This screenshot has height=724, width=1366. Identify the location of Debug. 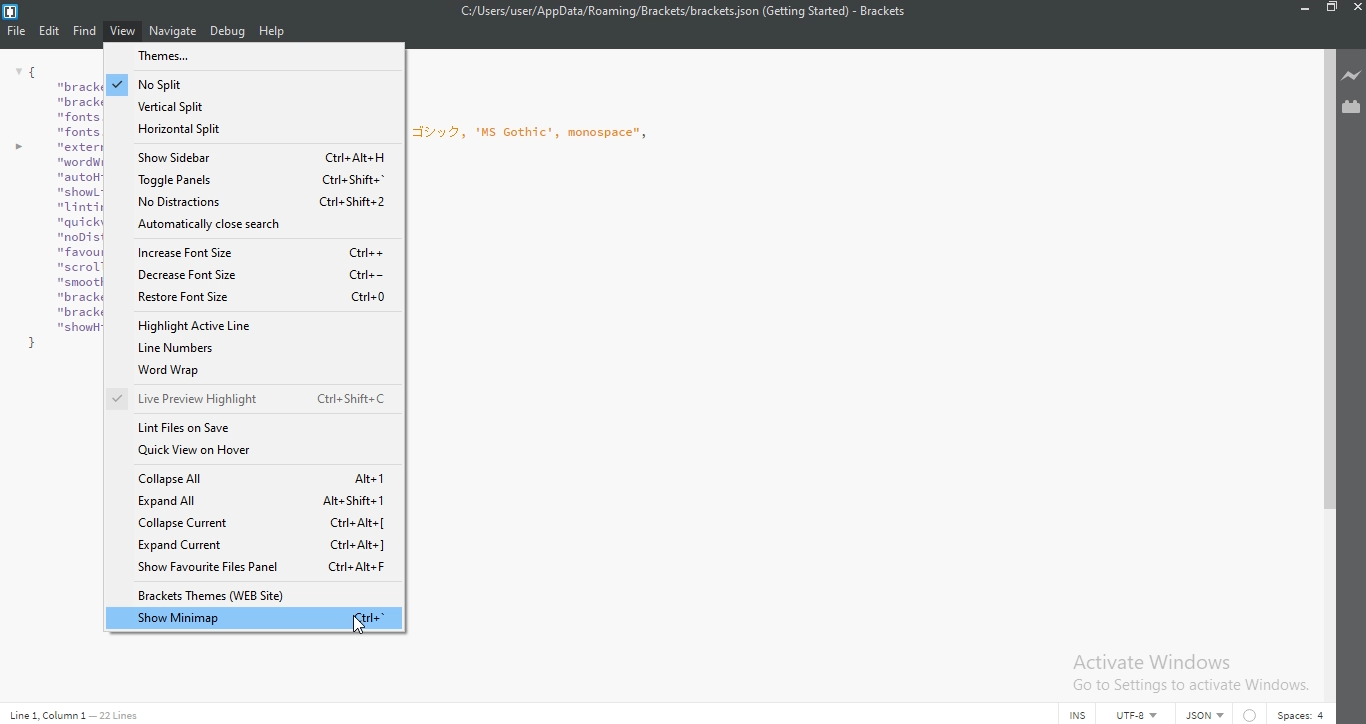
(228, 34).